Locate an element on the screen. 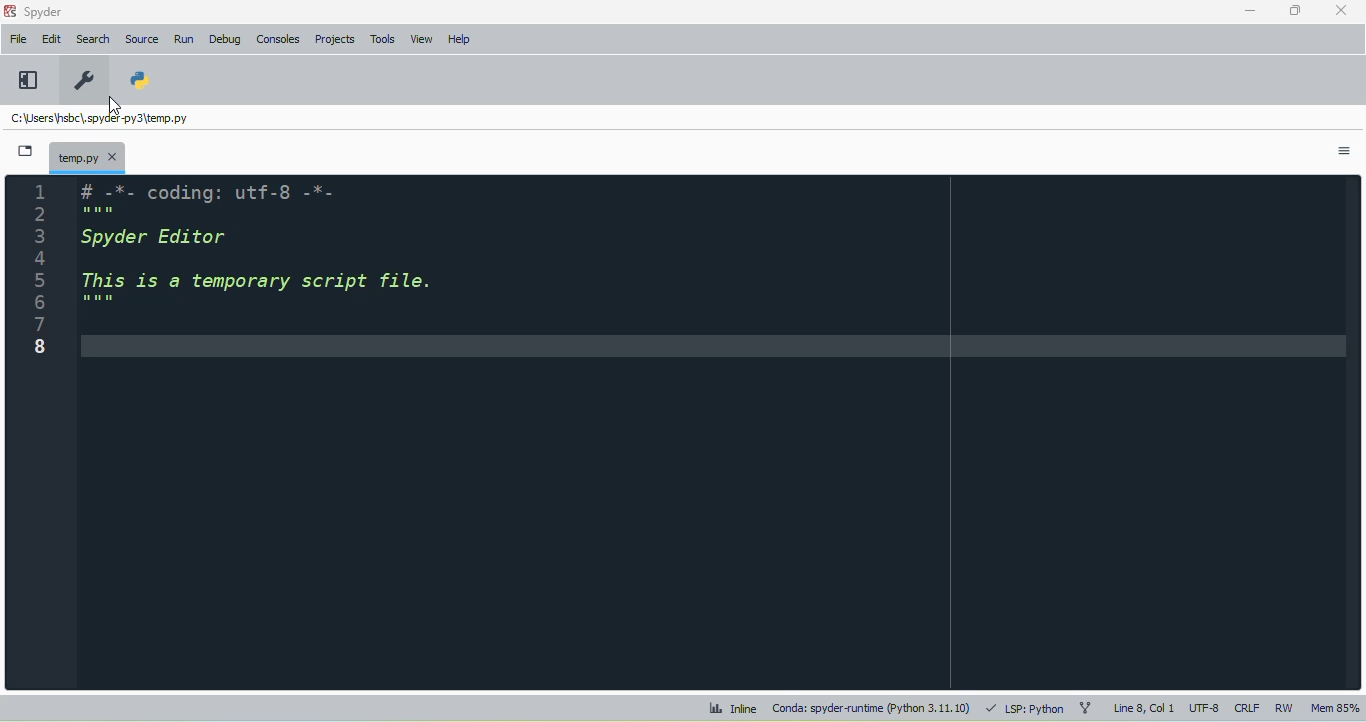 This screenshot has width=1366, height=722. close is located at coordinates (1340, 9).